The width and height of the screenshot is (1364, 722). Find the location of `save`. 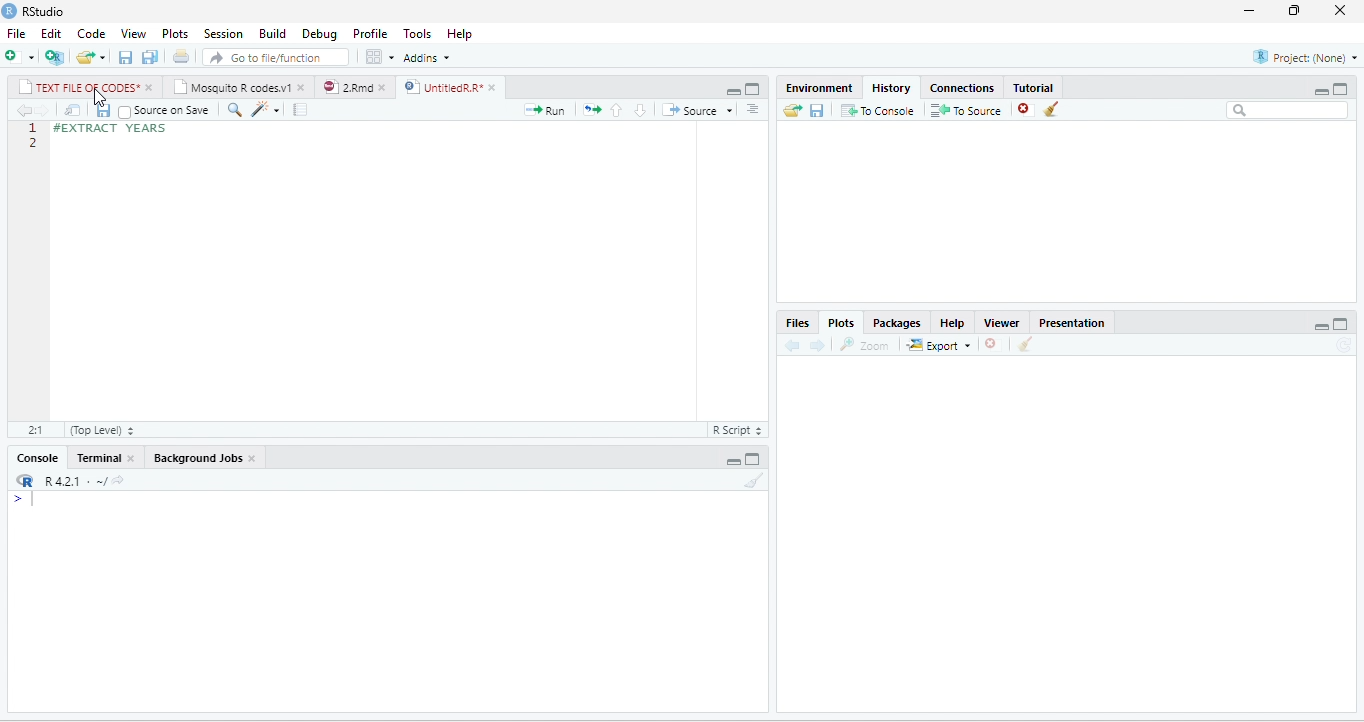

save is located at coordinates (817, 110).